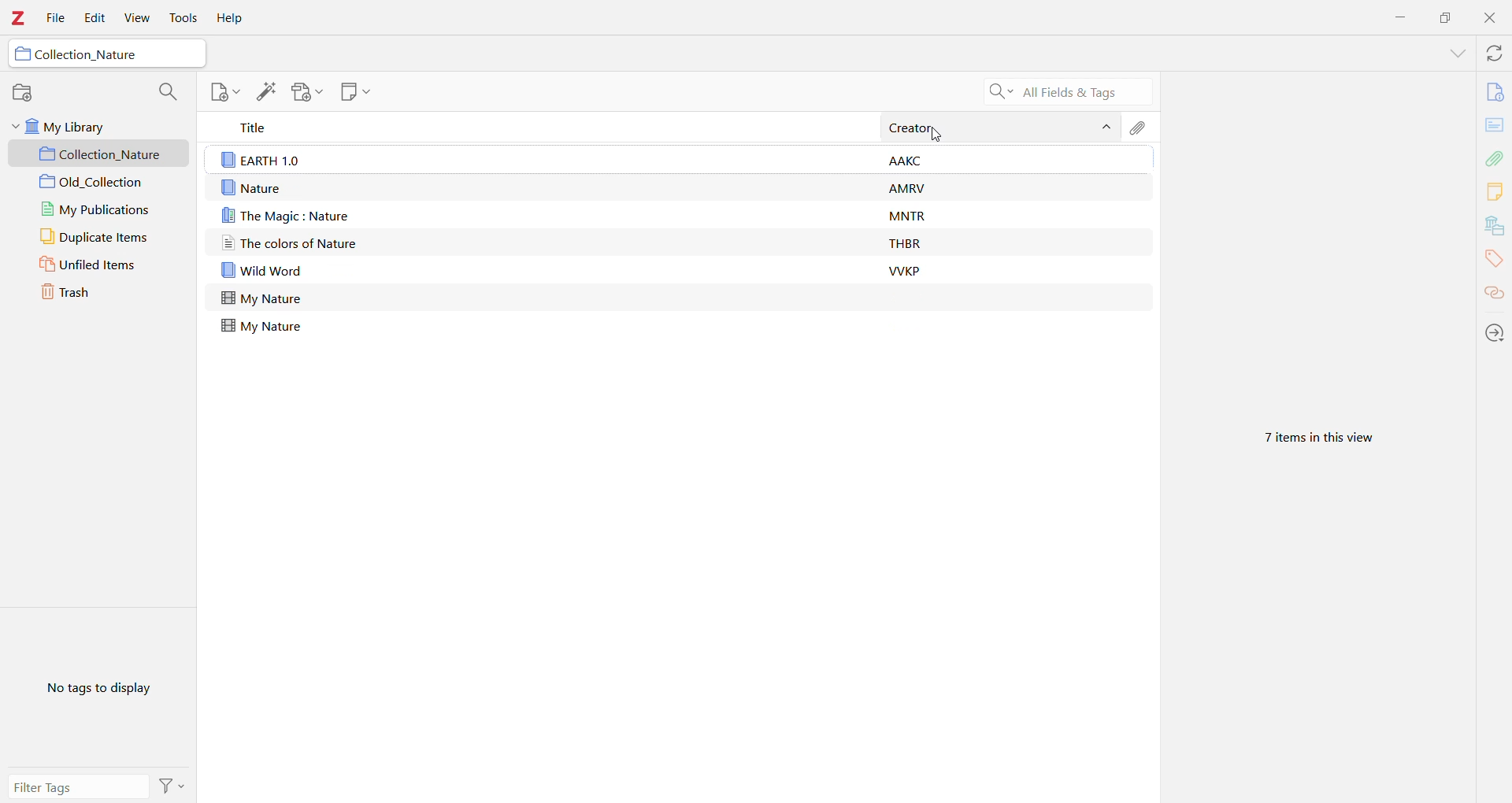  I want to click on Edit, so click(94, 17).